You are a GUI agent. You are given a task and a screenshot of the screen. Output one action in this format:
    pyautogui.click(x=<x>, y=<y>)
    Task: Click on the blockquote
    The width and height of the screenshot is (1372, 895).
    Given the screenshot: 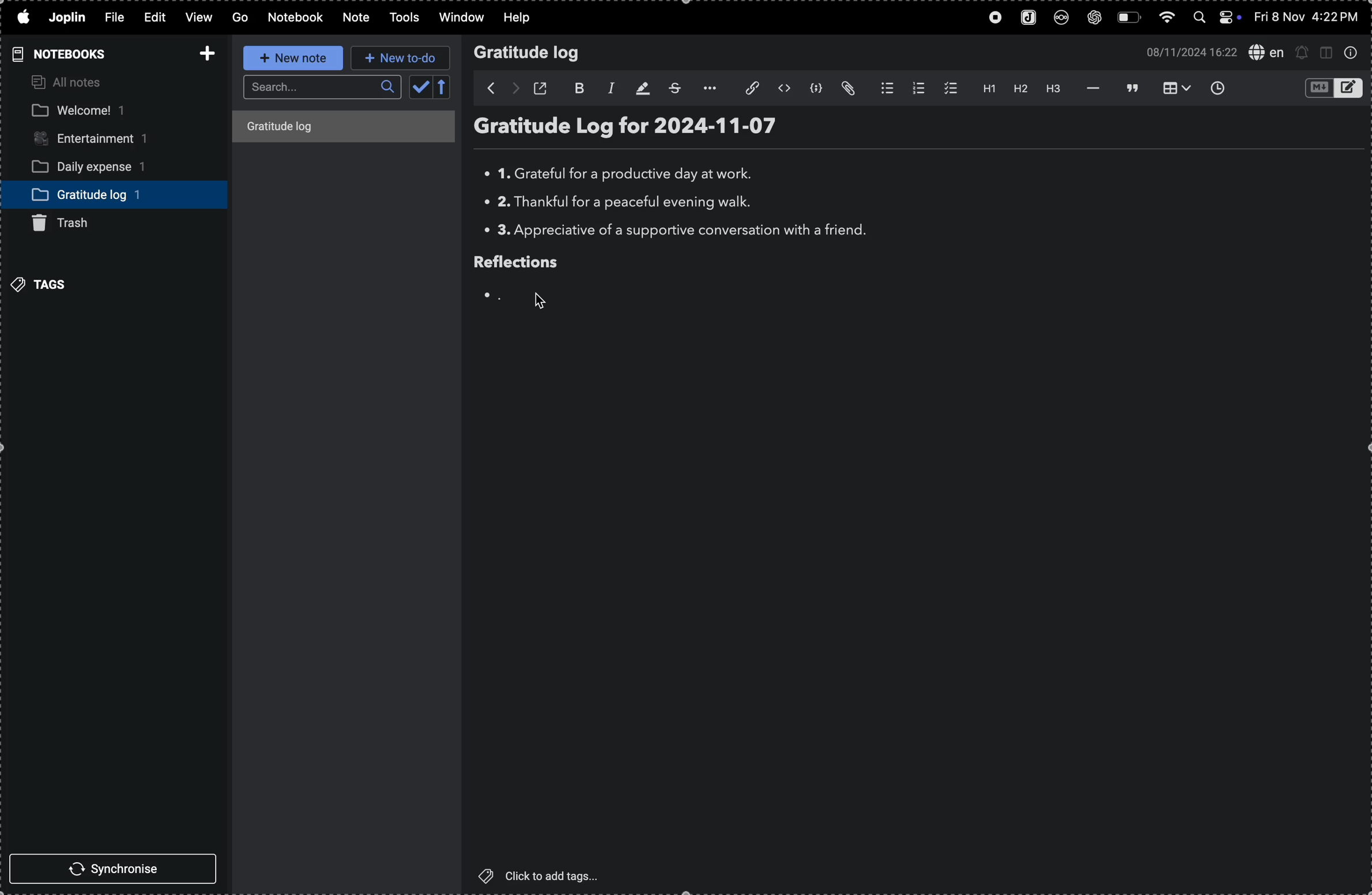 What is the action you would take?
    pyautogui.click(x=1130, y=88)
    